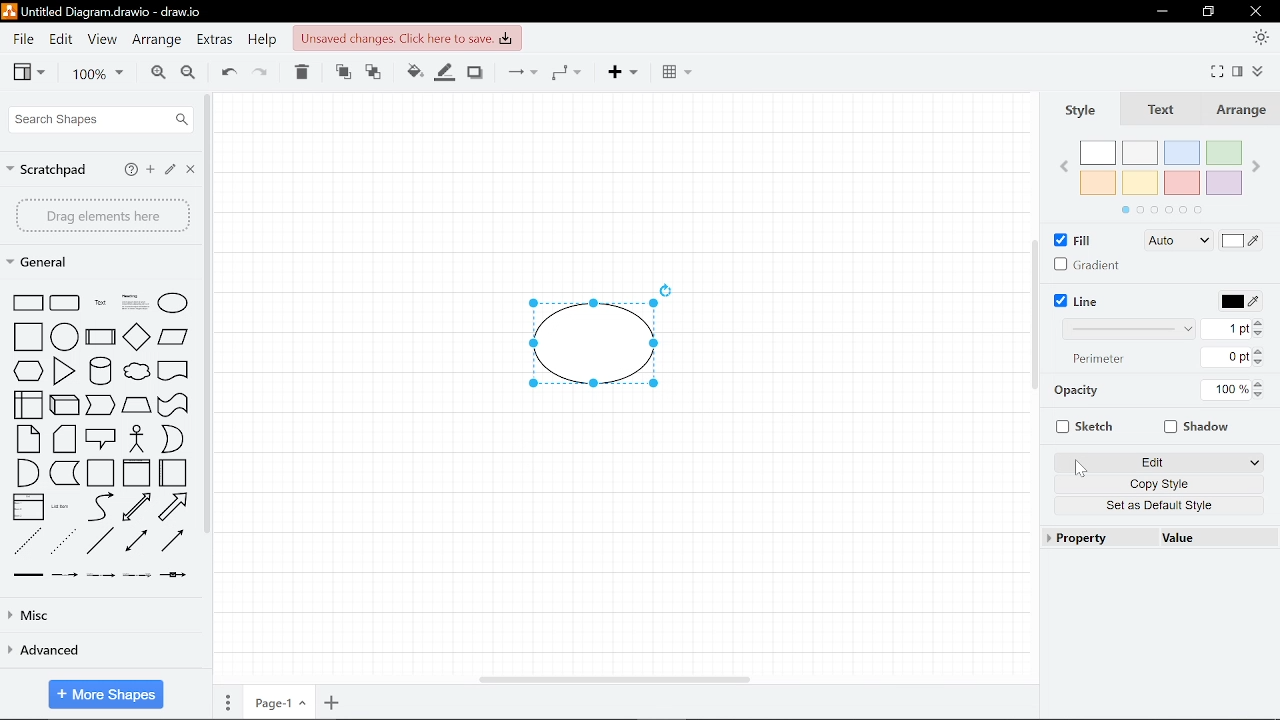 The image size is (1280, 720). Describe the element at coordinates (66, 302) in the screenshot. I see `curved rectangle ` at that location.